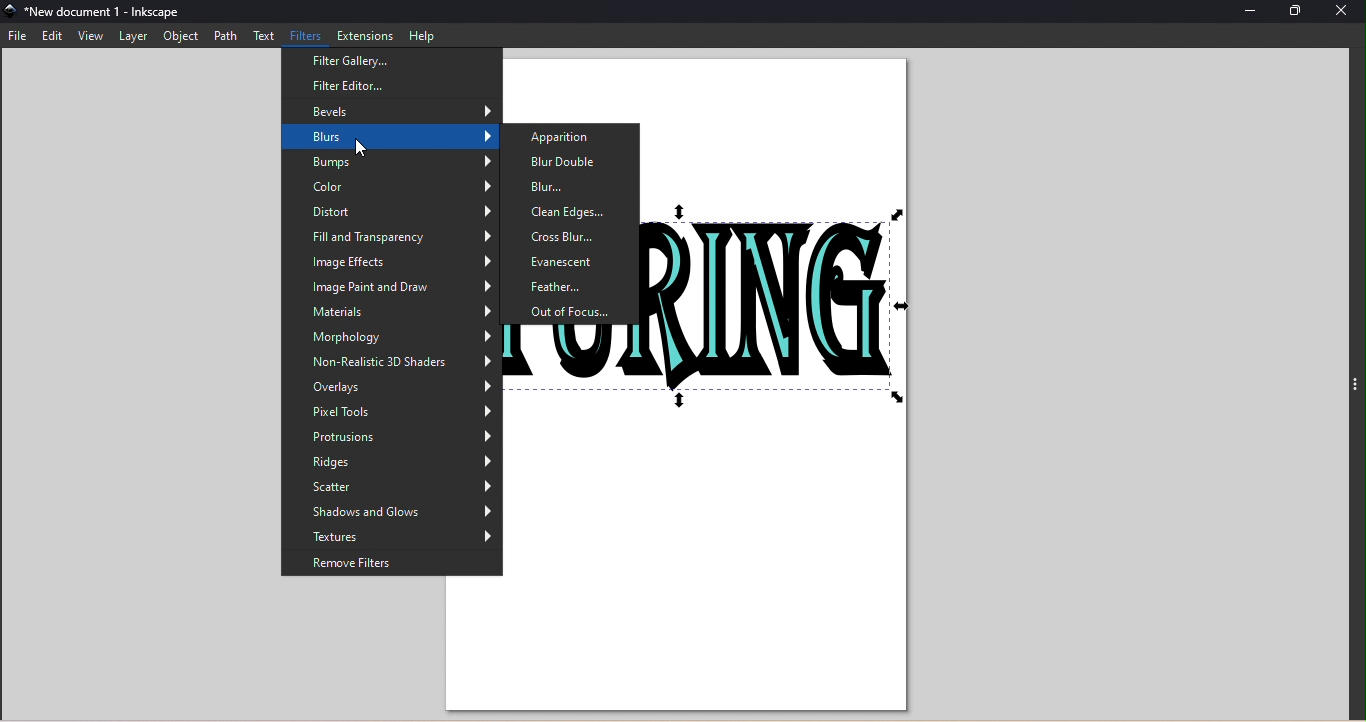  What do you see at coordinates (561, 161) in the screenshot?
I see `Blur double` at bounding box center [561, 161].